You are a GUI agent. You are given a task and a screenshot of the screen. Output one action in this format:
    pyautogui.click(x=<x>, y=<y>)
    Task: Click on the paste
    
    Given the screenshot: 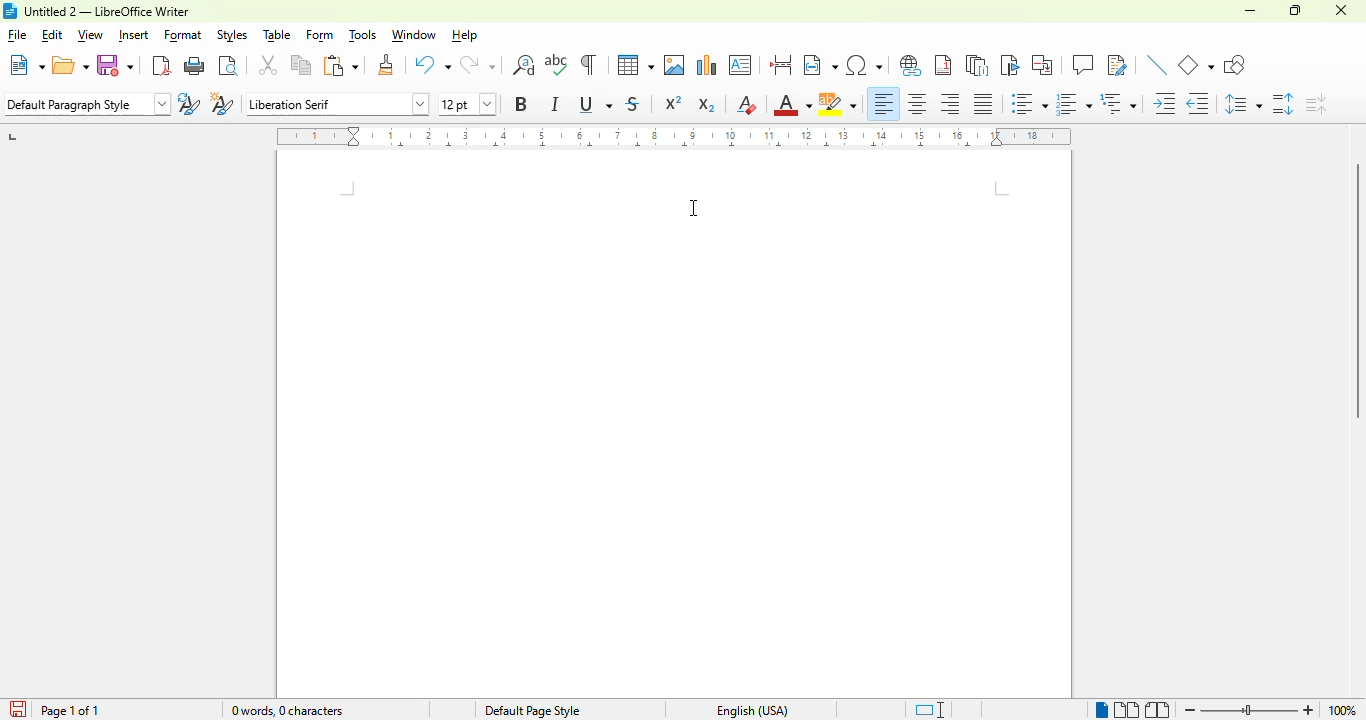 What is the action you would take?
    pyautogui.click(x=342, y=65)
    